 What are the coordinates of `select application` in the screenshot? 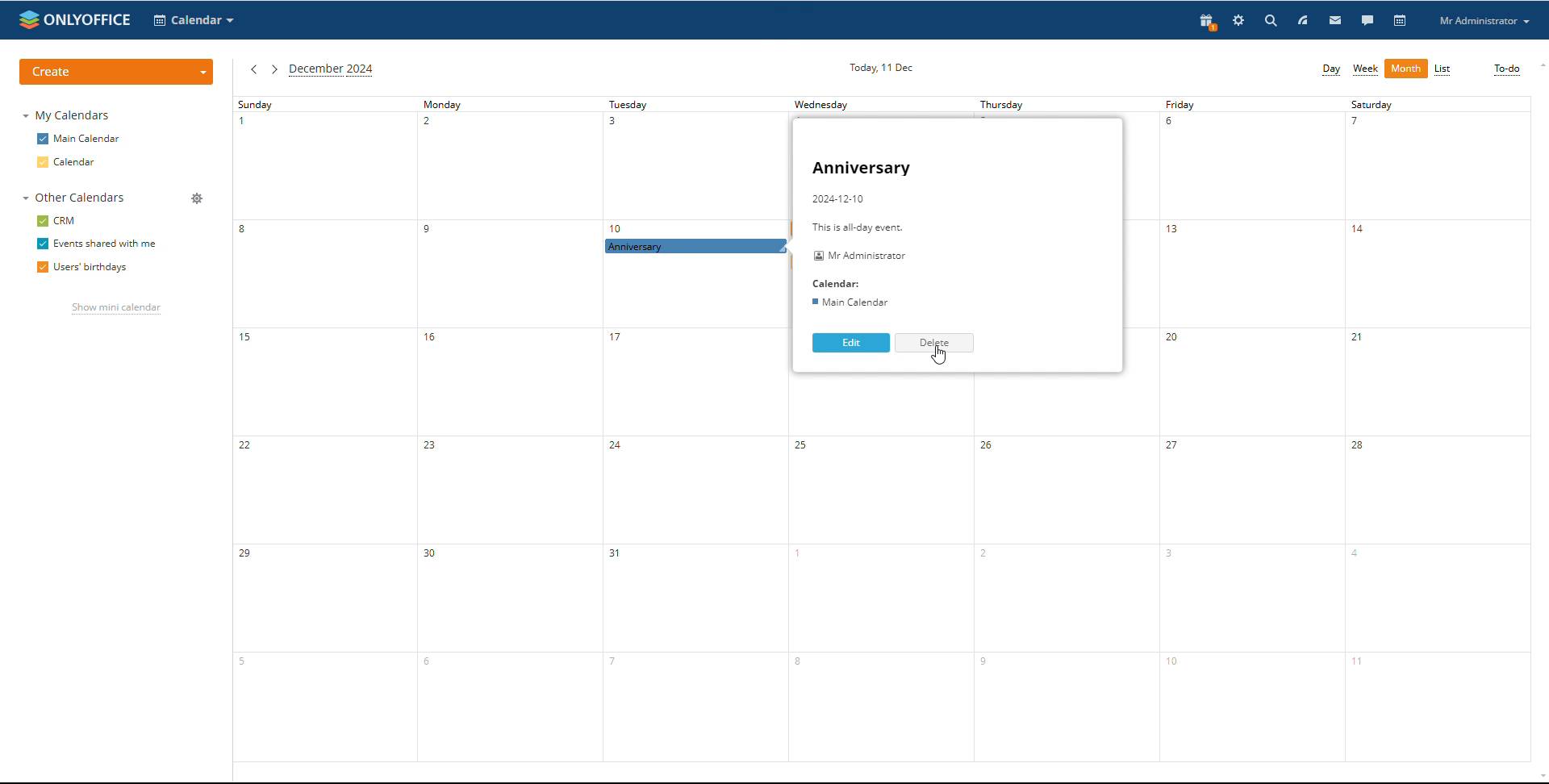 It's located at (194, 21).